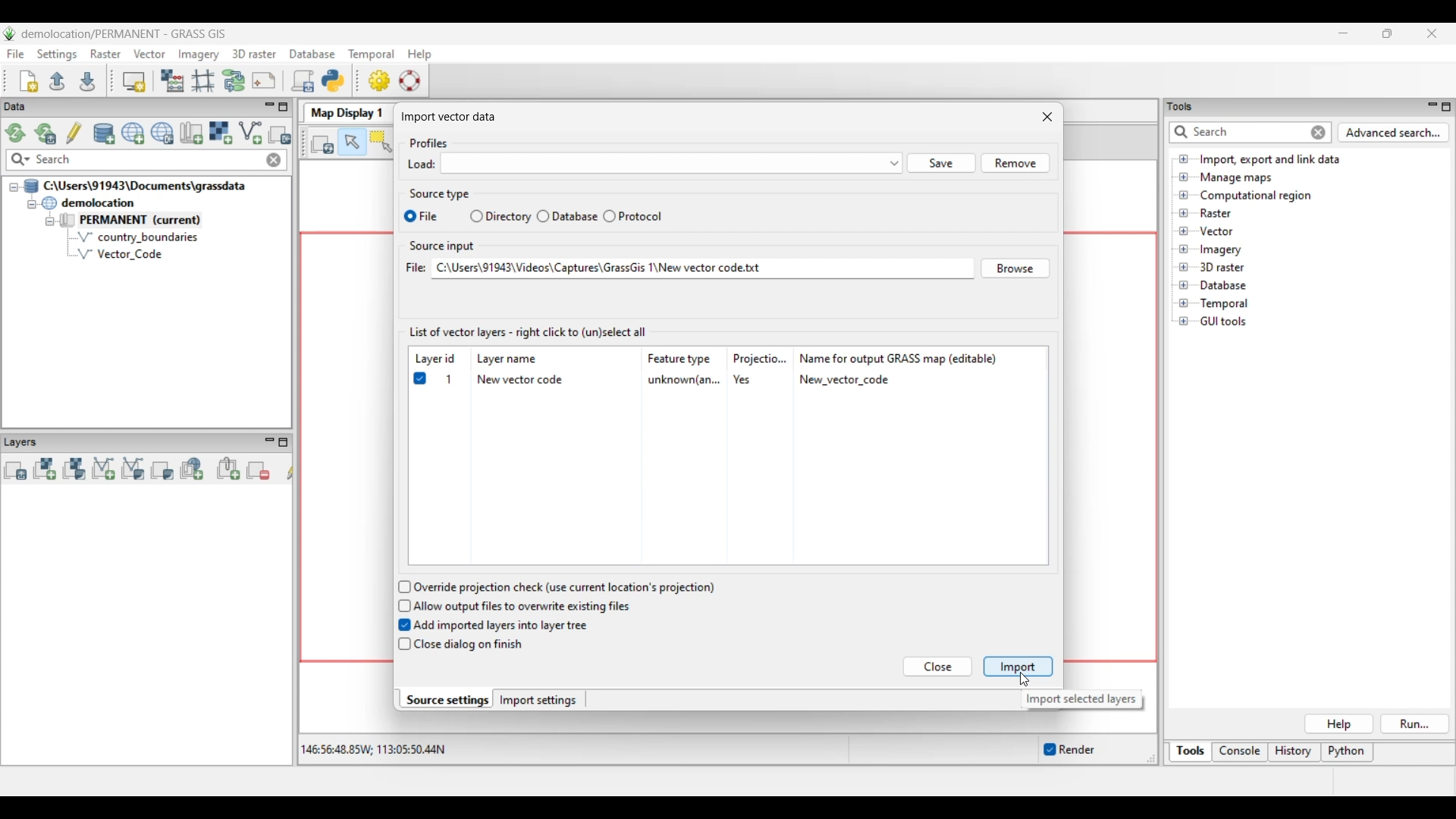 Image resolution: width=1456 pixels, height=819 pixels. Describe the element at coordinates (371, 55) in the screenshot. I see `Temporal menu` at that location.